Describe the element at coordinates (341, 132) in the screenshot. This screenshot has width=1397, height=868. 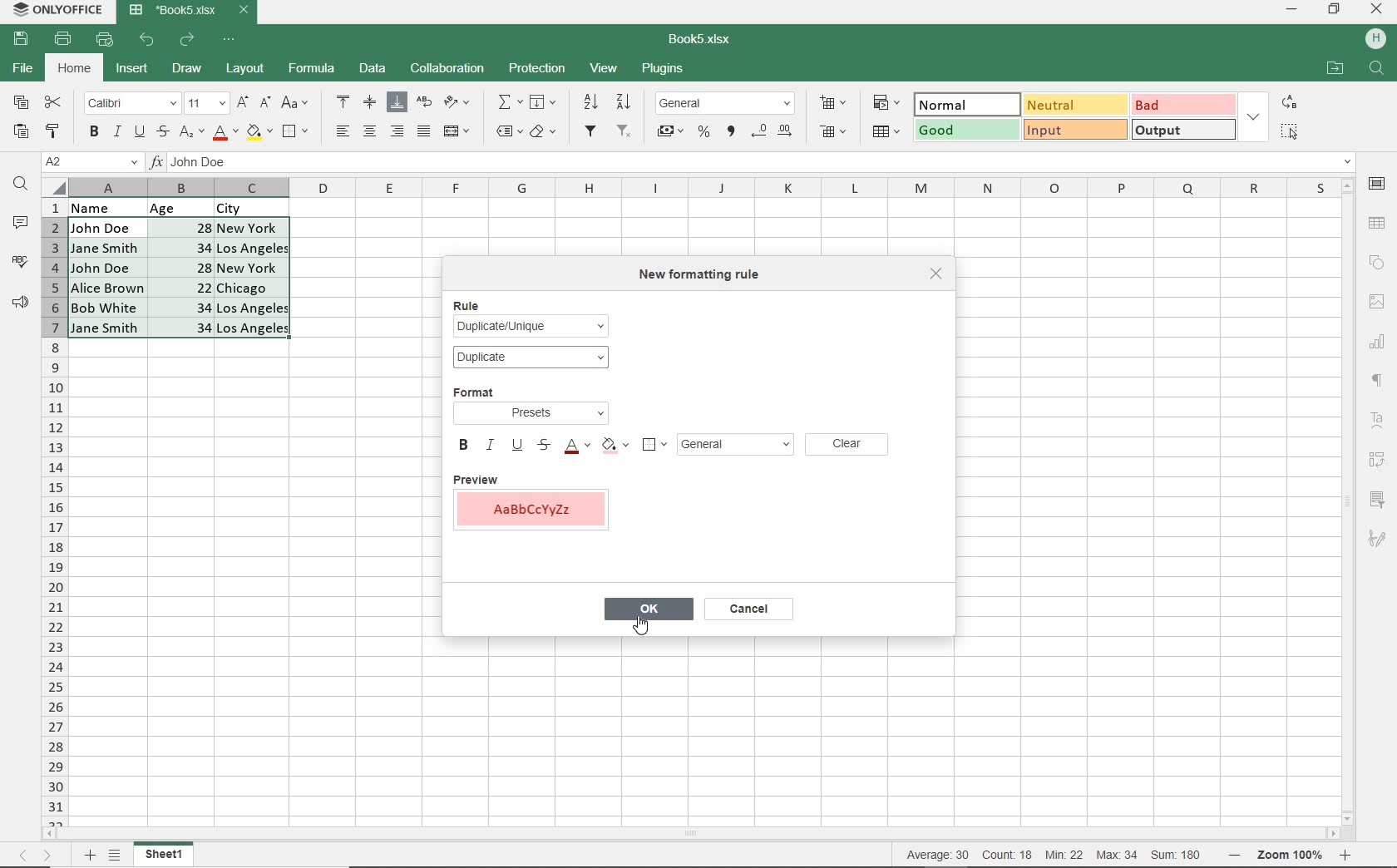
I see `ALIGN LEFT` at that location.